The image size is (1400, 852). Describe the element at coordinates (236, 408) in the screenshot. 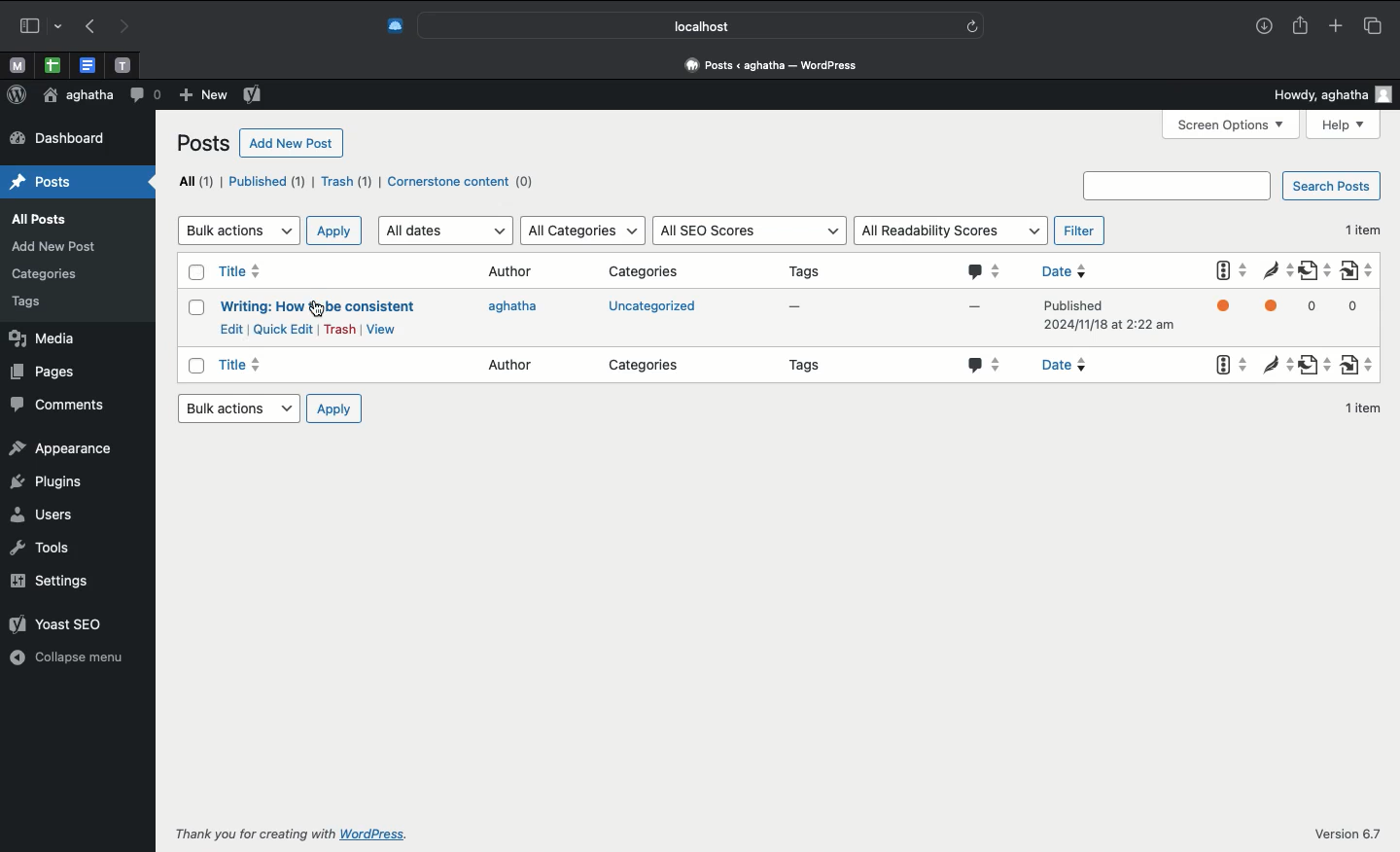

I see `Bulk actions` at that location.